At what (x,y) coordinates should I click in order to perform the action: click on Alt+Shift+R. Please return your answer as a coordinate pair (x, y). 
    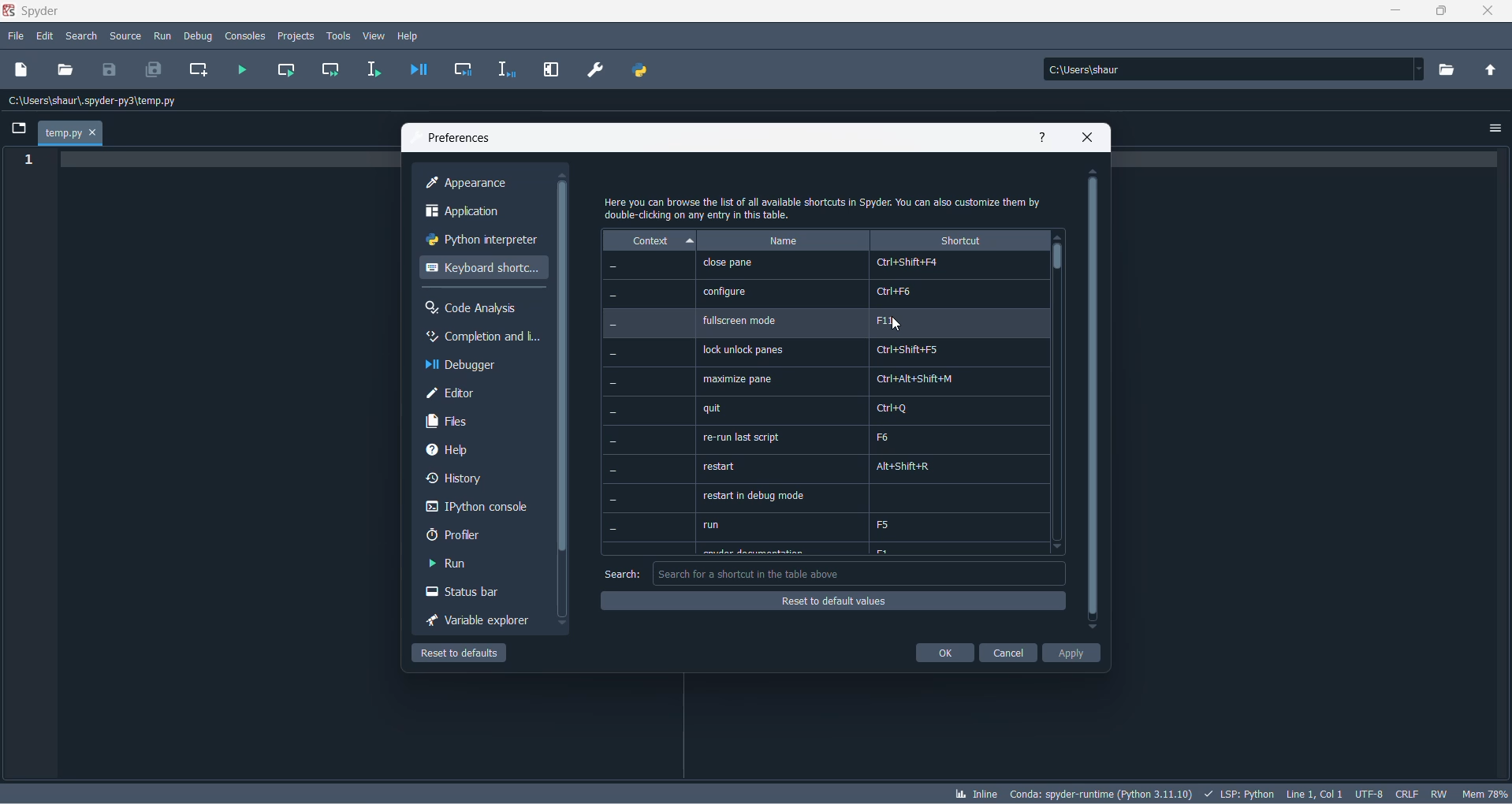
    Looking at the image, I should click on (911, 466).